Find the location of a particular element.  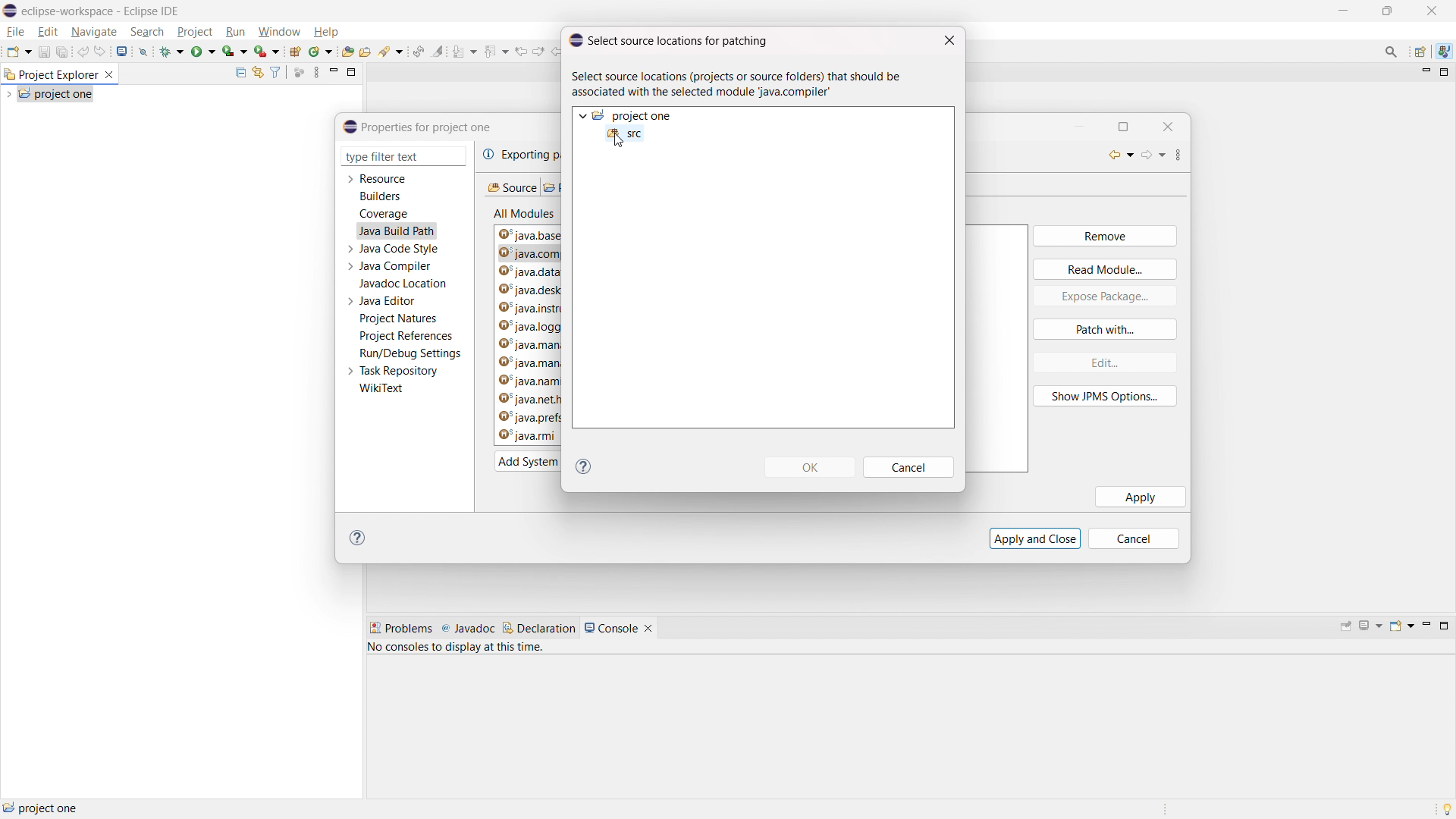

toggle ant editor auto reconcile is located at coordinates (418, 51).